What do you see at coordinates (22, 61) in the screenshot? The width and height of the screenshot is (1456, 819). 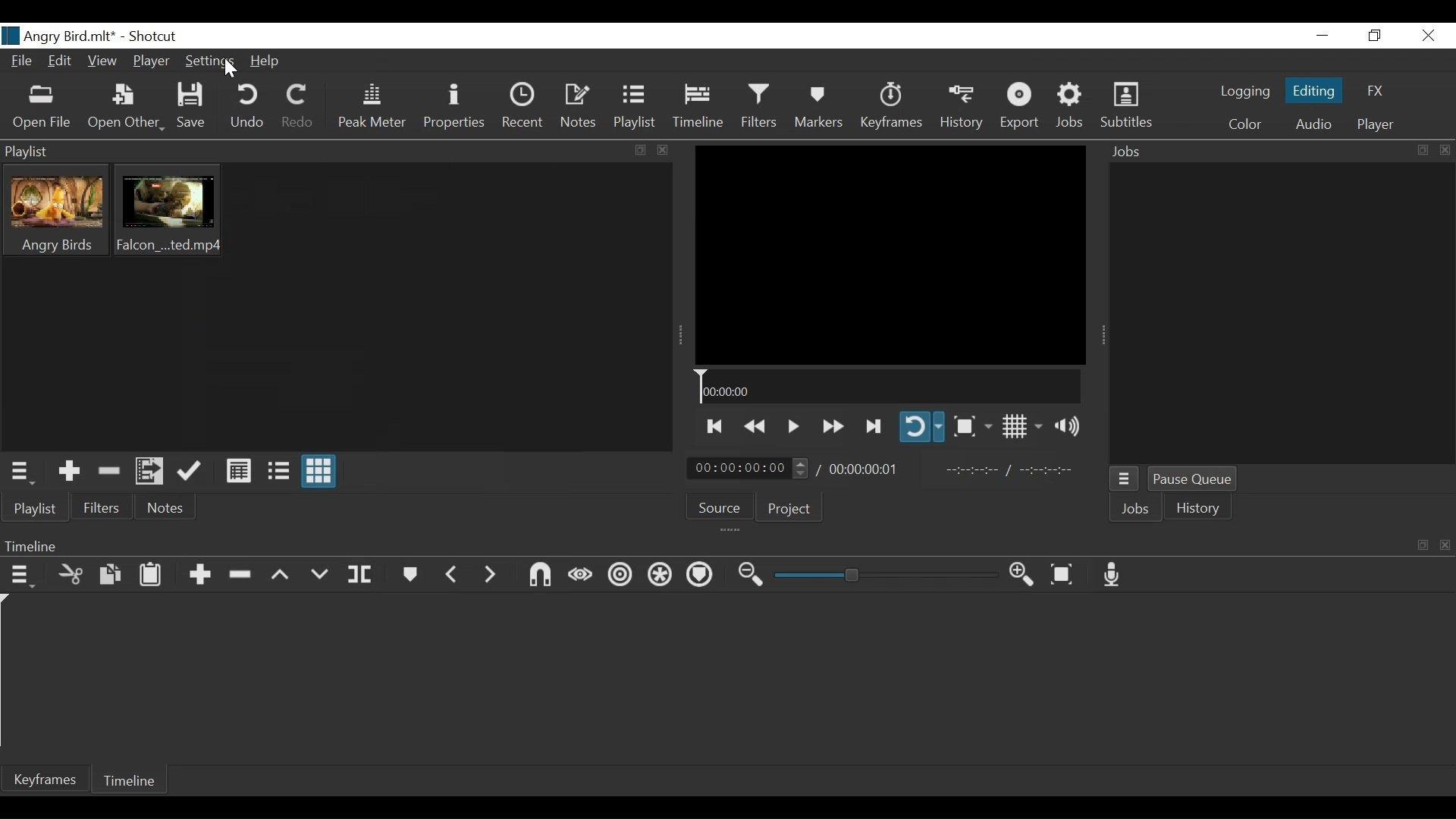 I see `File` at bounding box center [22, 61].